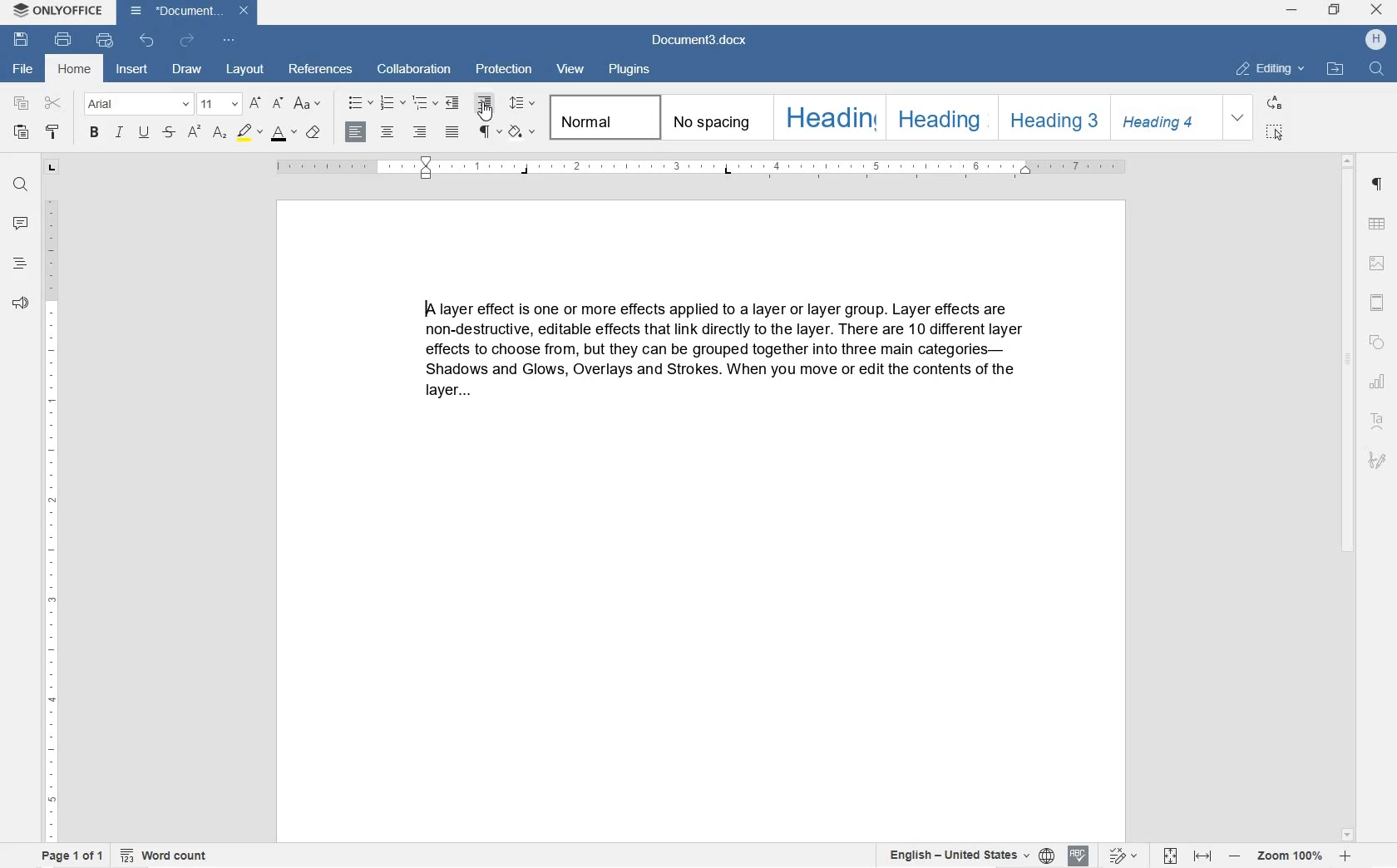  Describe the element at coordinates (1165, 118) in the screenshot. I see `HEADING 4` at that location.